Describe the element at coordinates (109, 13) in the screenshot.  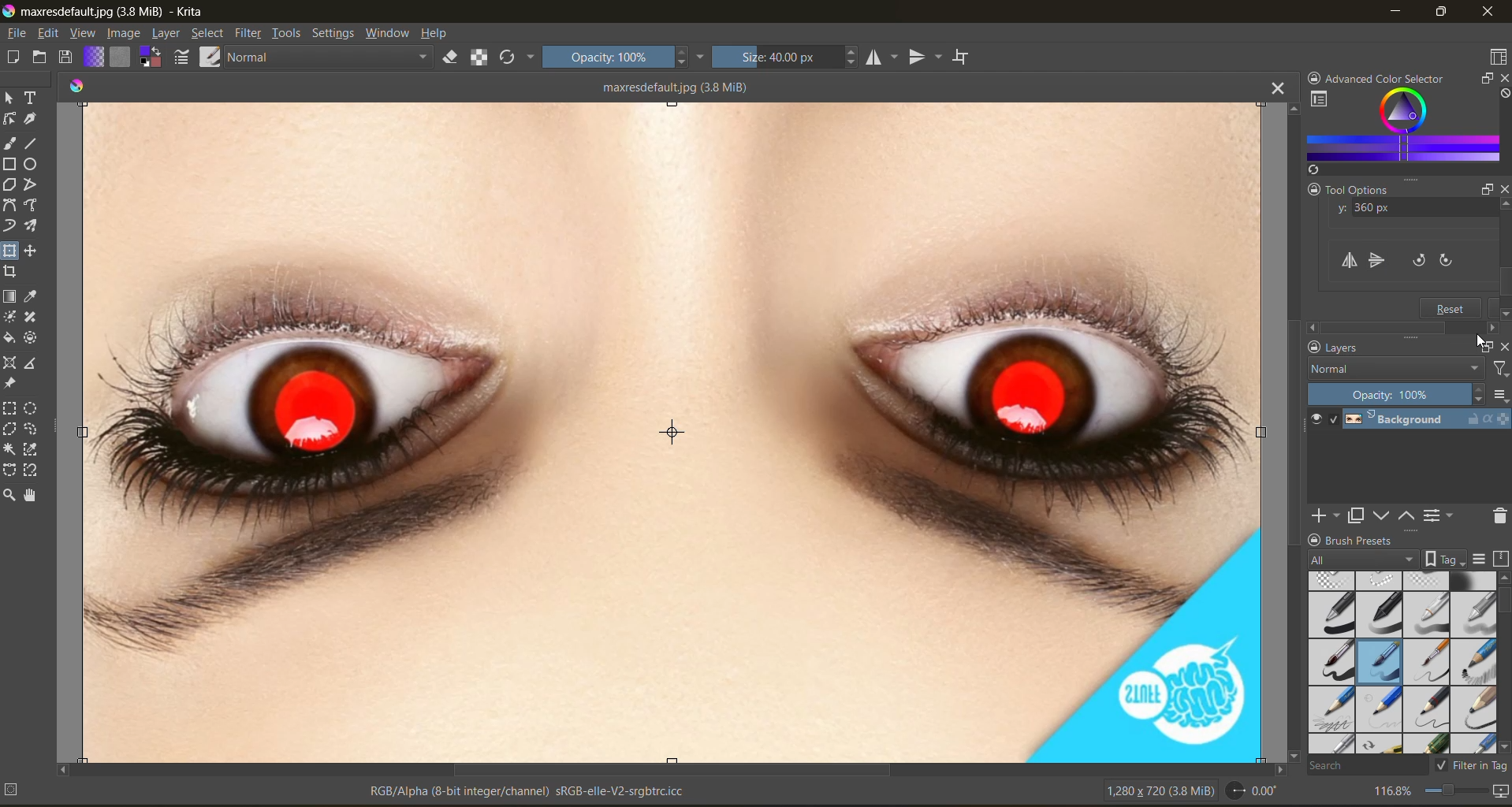
I see `app name and file name` at that location.